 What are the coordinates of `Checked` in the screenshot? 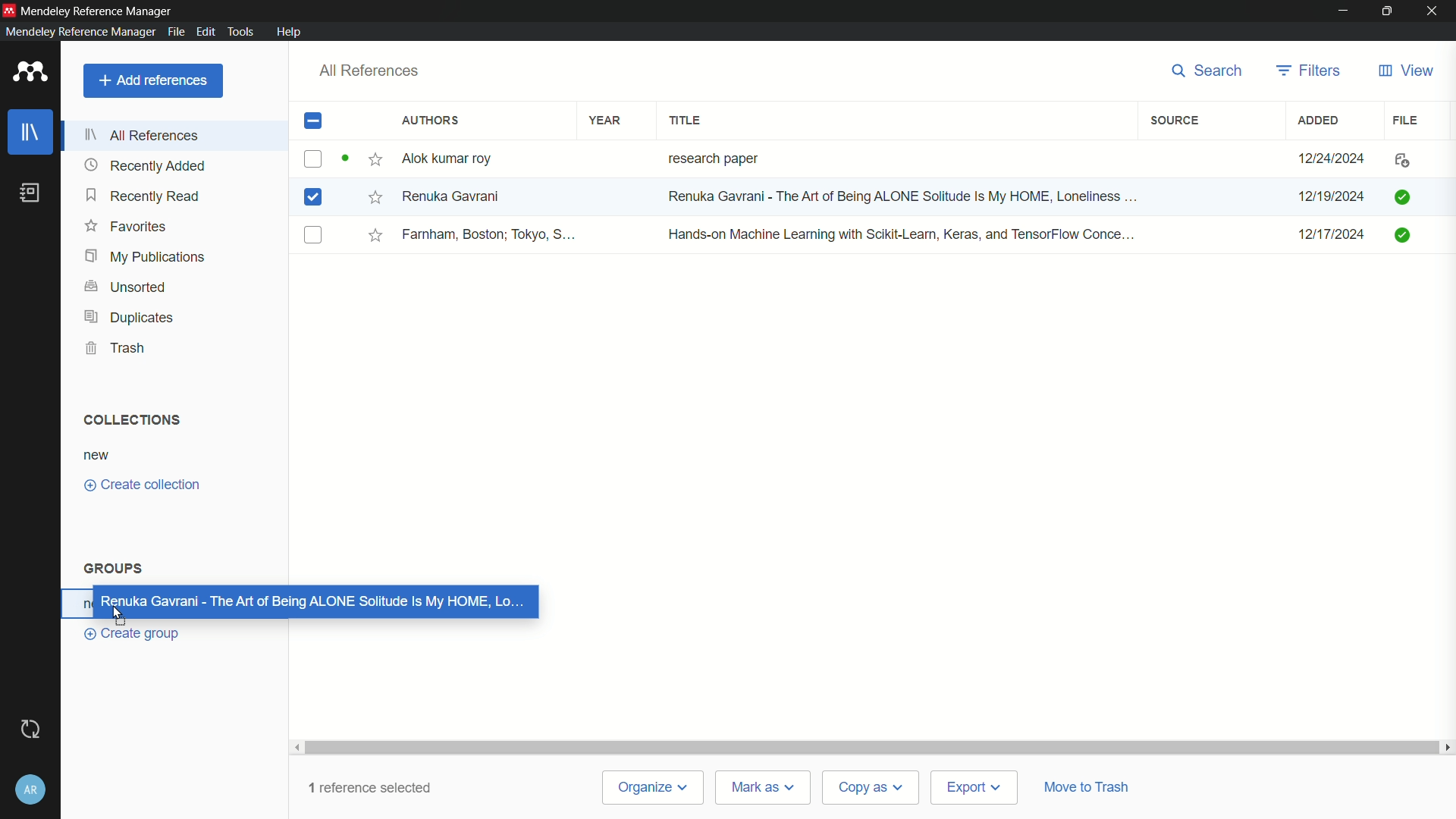 It's located at (1405, 234).